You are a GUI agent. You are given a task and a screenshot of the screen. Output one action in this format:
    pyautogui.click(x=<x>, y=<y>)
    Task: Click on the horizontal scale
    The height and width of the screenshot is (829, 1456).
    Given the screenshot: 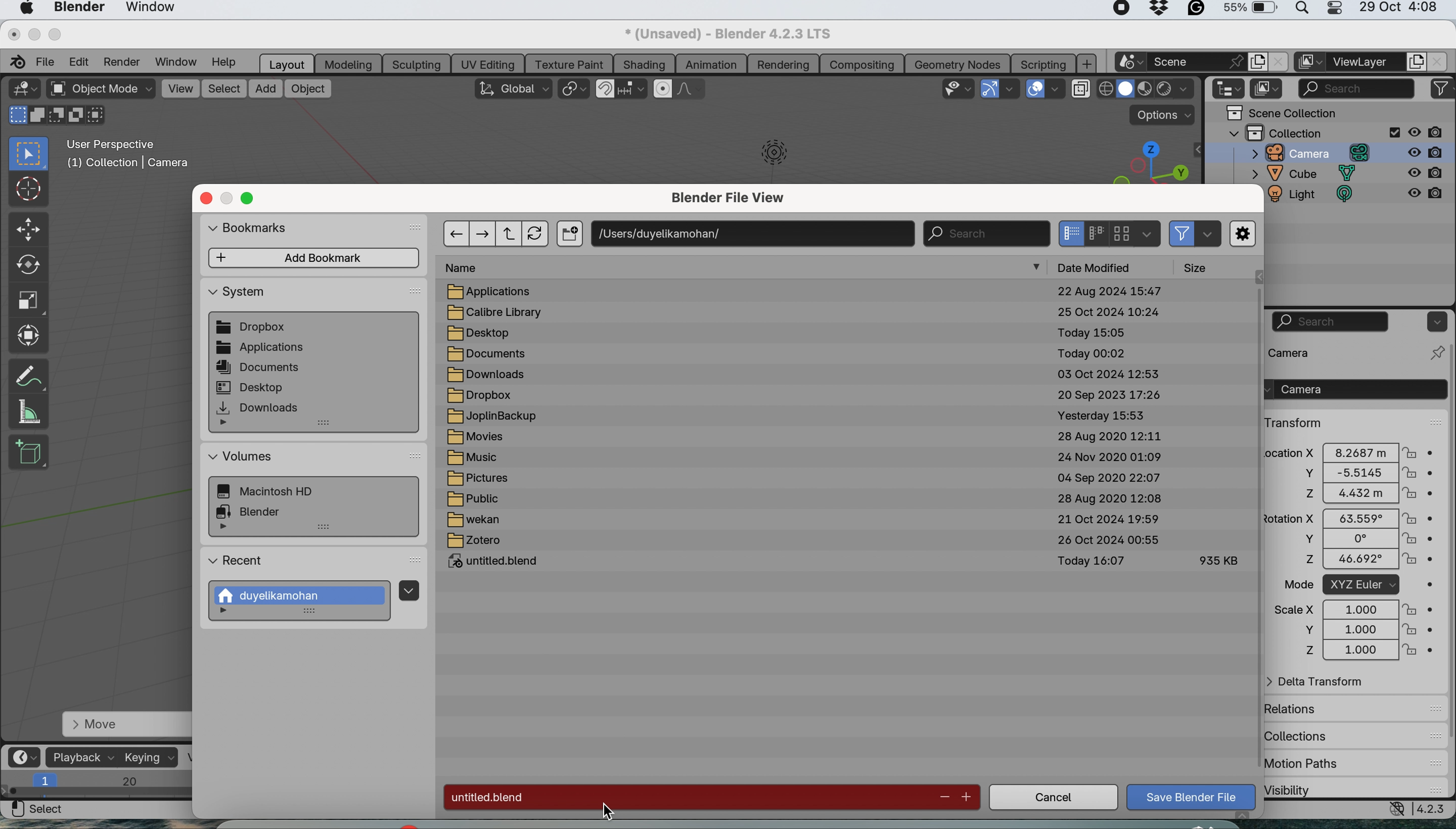 What is the action you would take?
    pyautogui.click(x=99, y=786)
    